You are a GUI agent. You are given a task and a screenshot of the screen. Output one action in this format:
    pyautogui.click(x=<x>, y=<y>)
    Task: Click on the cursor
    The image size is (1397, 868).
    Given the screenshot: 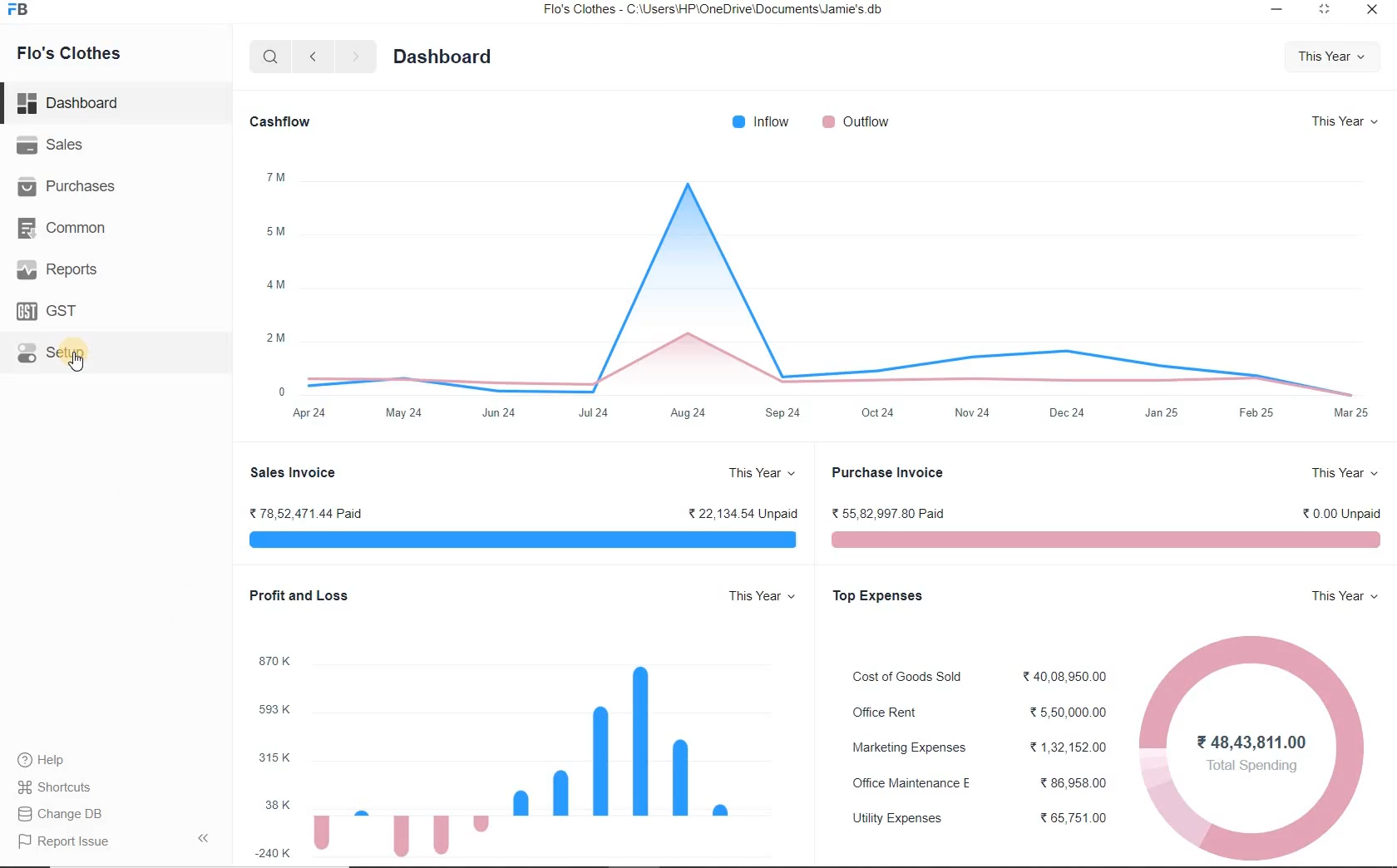 What is the action you would take?
    pyautogui.click(x=80, y=365)
    